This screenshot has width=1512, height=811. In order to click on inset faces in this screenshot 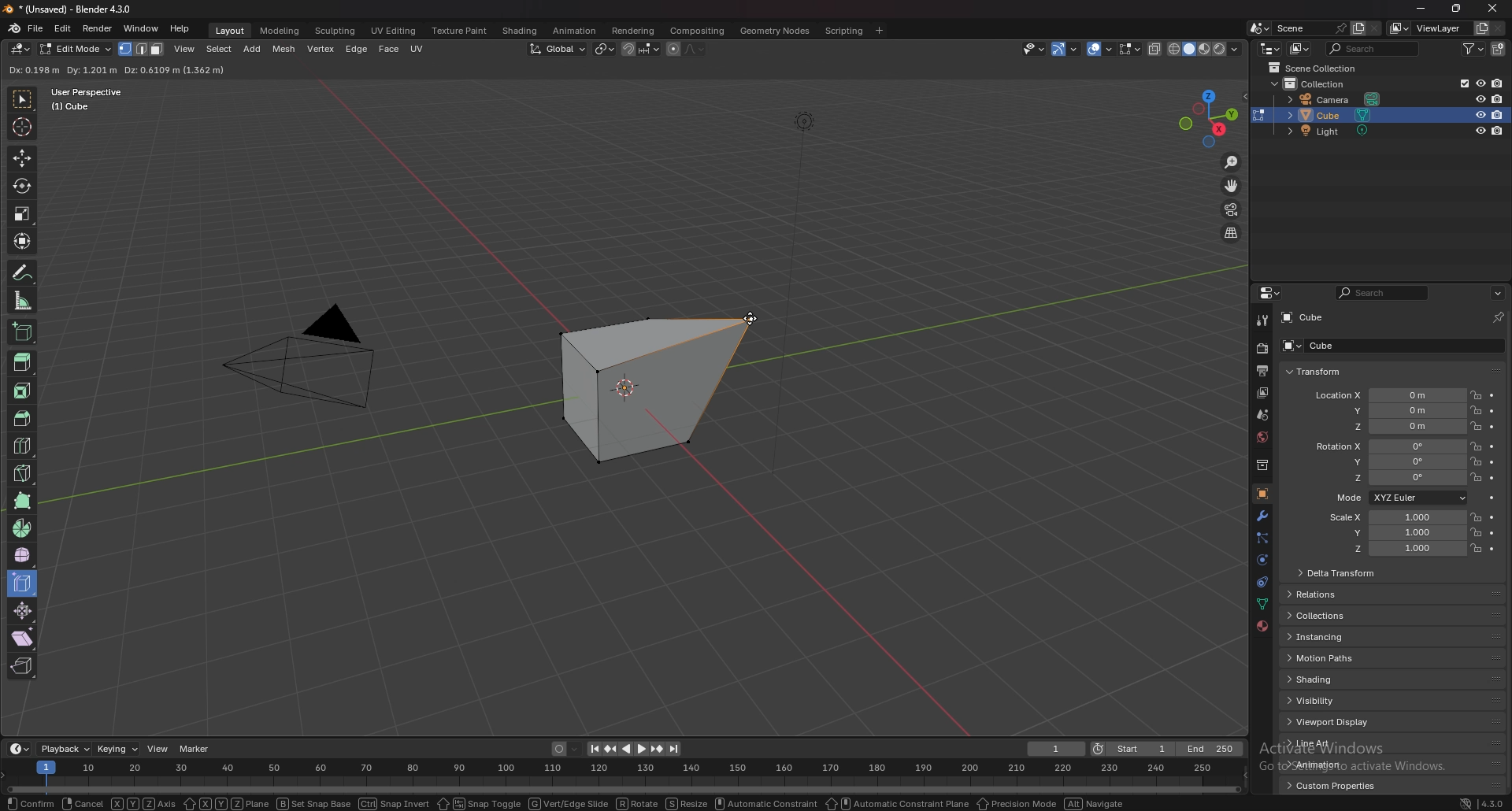, I will do `click(21, 391)`.